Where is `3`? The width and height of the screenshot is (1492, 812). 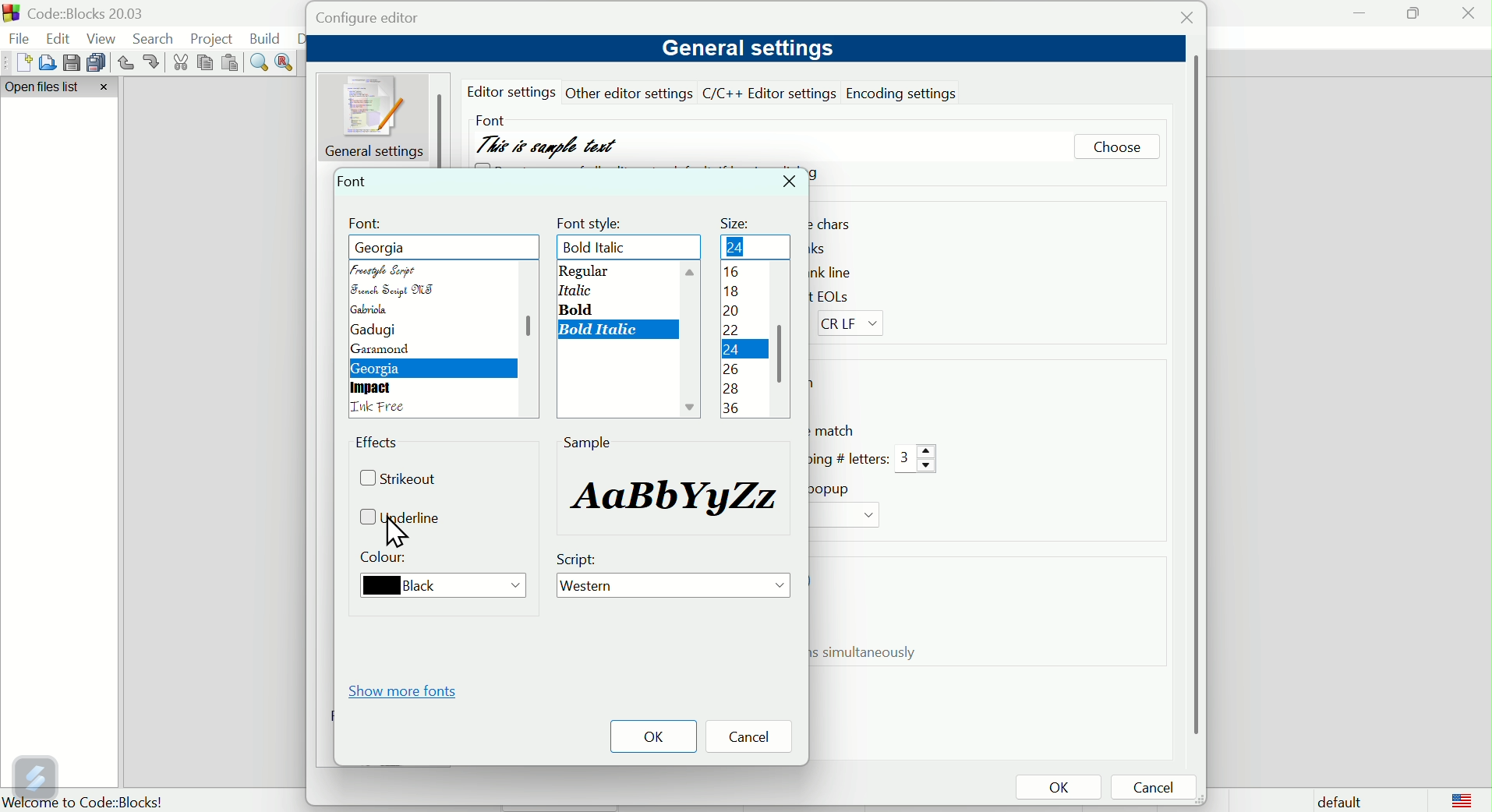 3 is located at coordinates (917, 460).